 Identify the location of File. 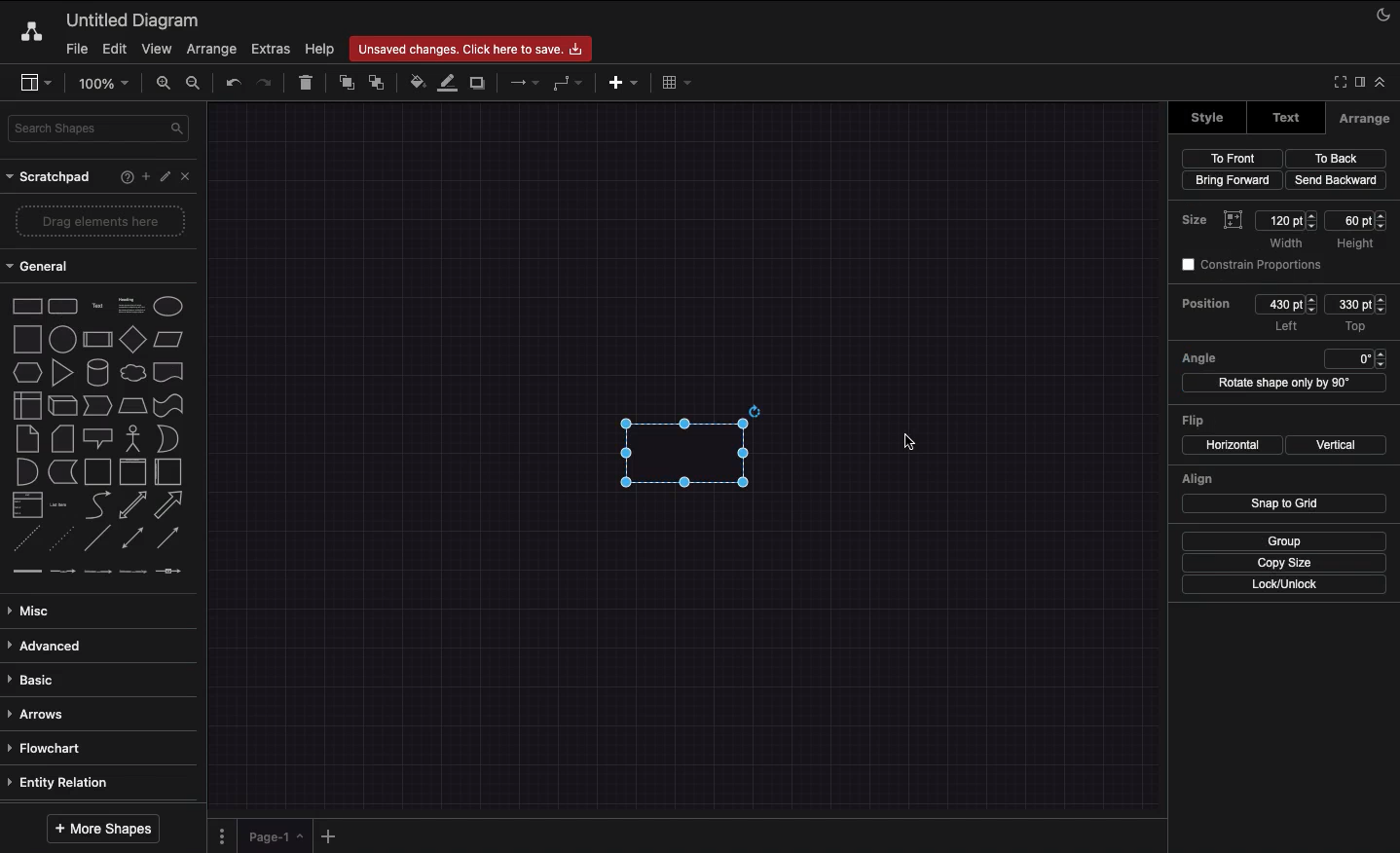
(76, 49).